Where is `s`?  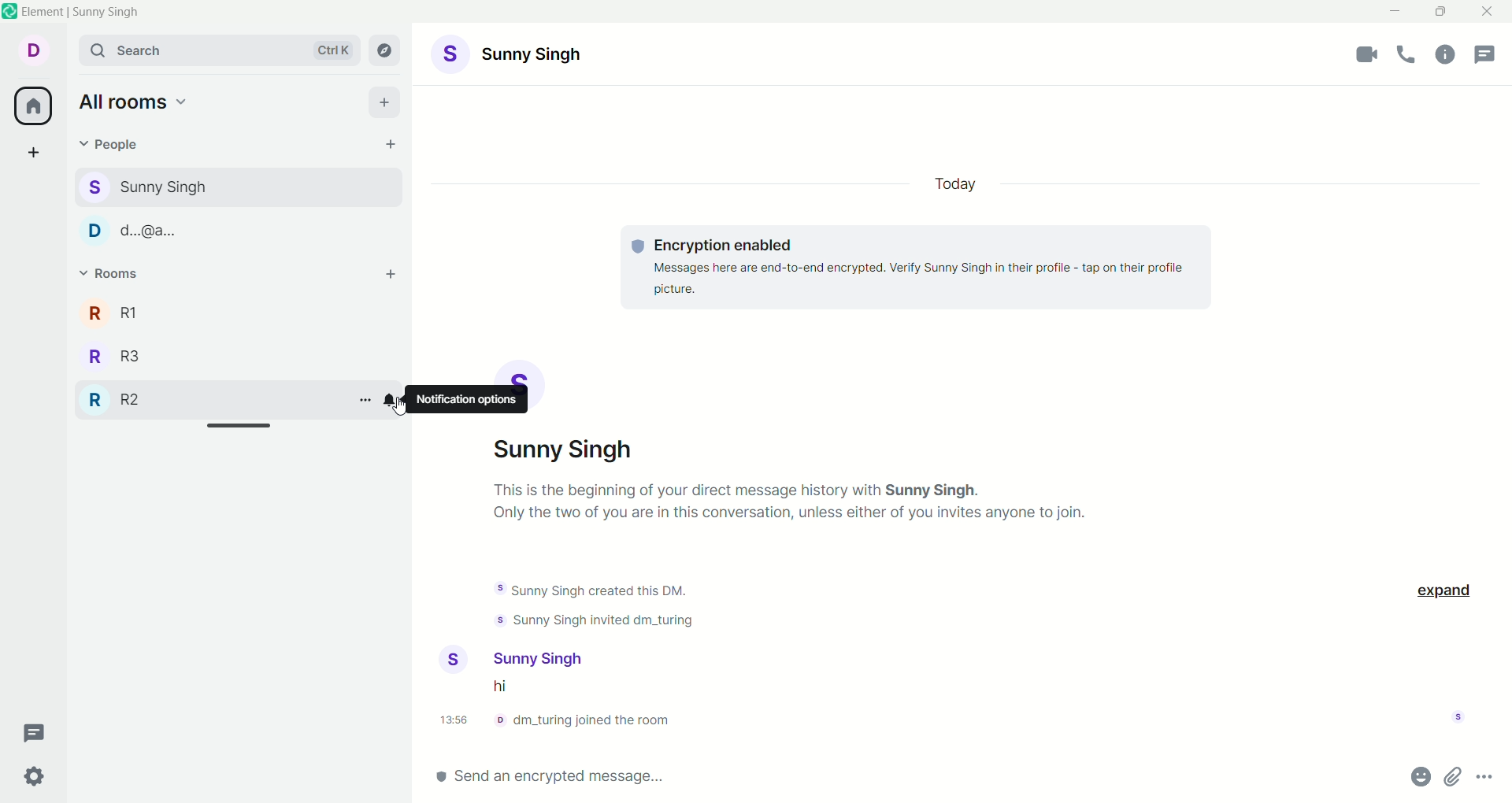 s is located at coordinates (157, 187).